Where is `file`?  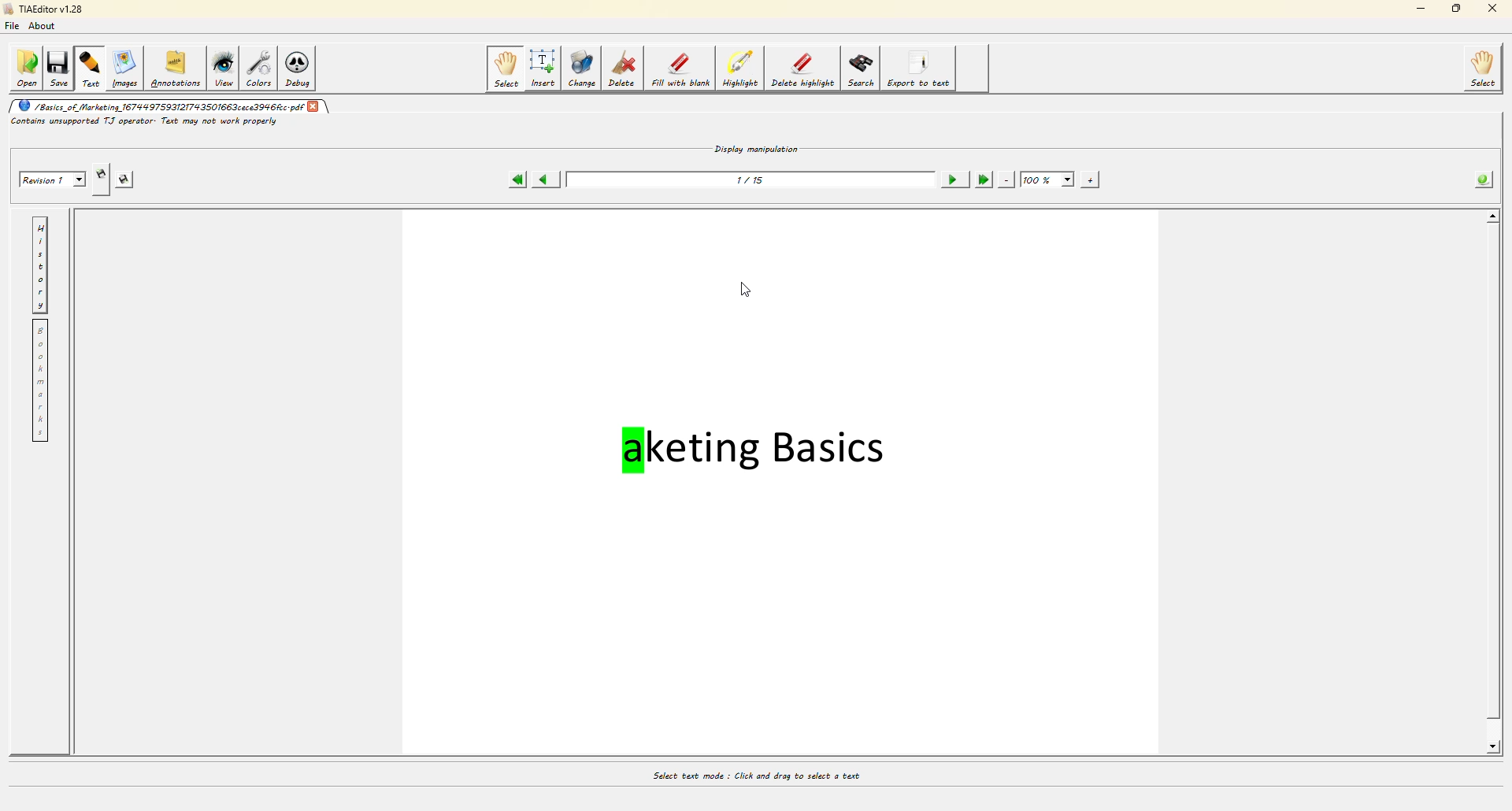
file is located at coordinates (13, 28).